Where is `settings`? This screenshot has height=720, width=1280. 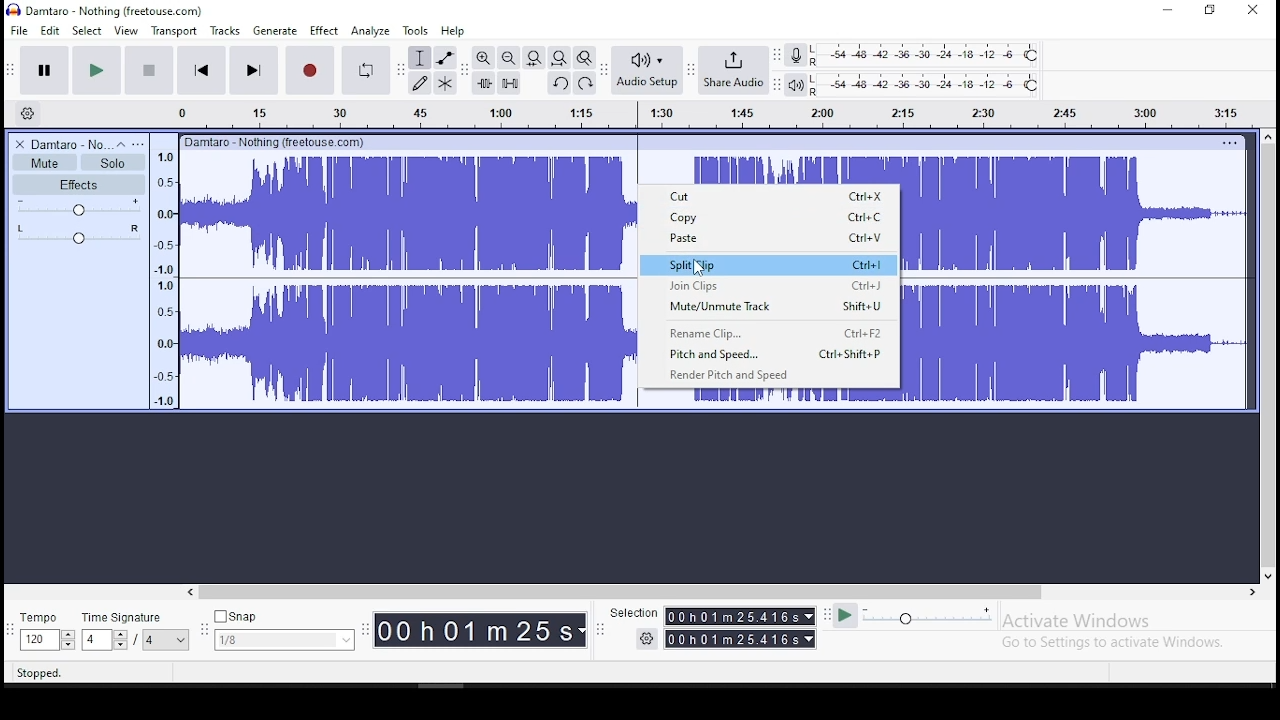
settings is located at coordinates (647, 639).